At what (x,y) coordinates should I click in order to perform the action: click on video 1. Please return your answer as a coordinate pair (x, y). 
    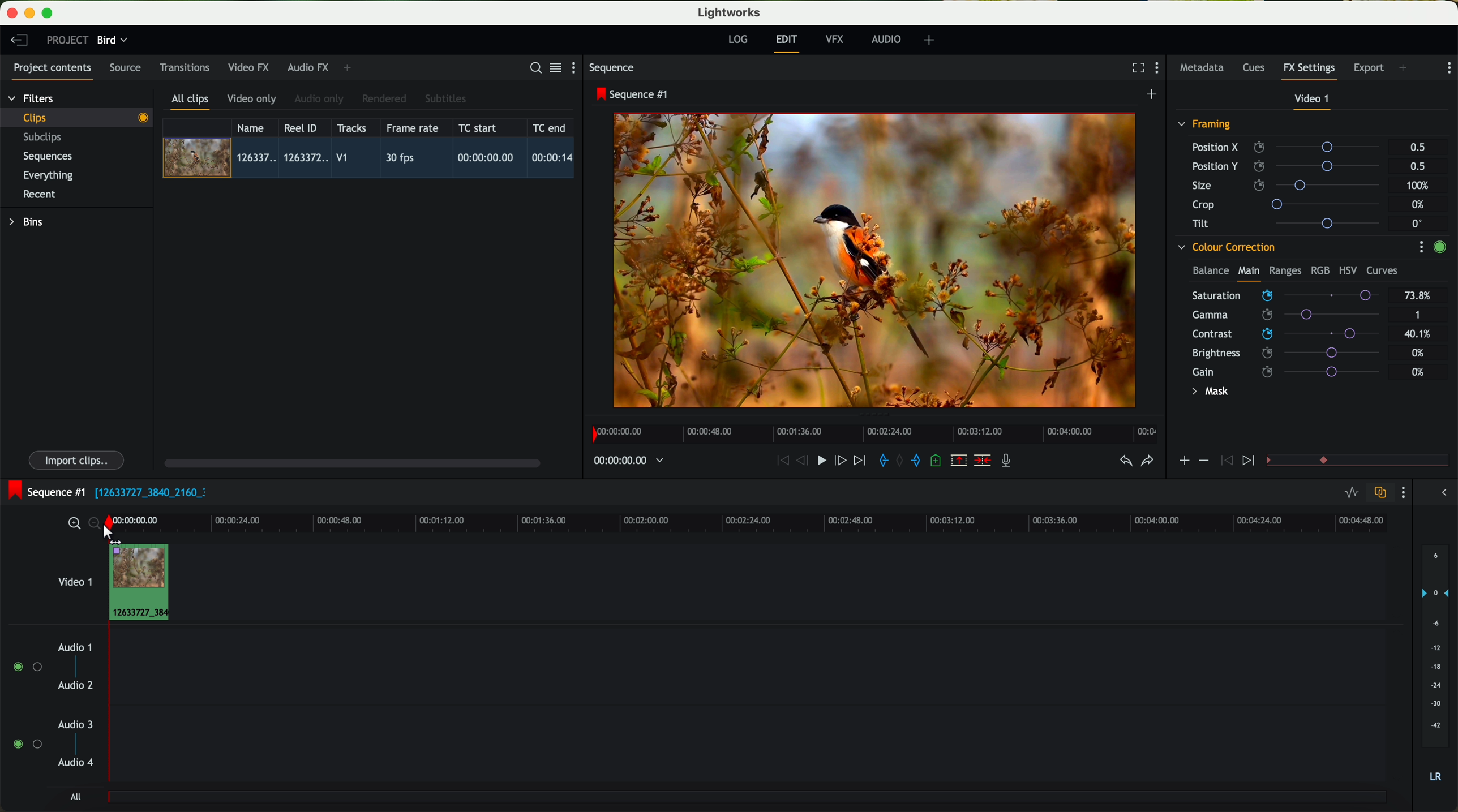
    Looking at the image, I should click on (74, 579).